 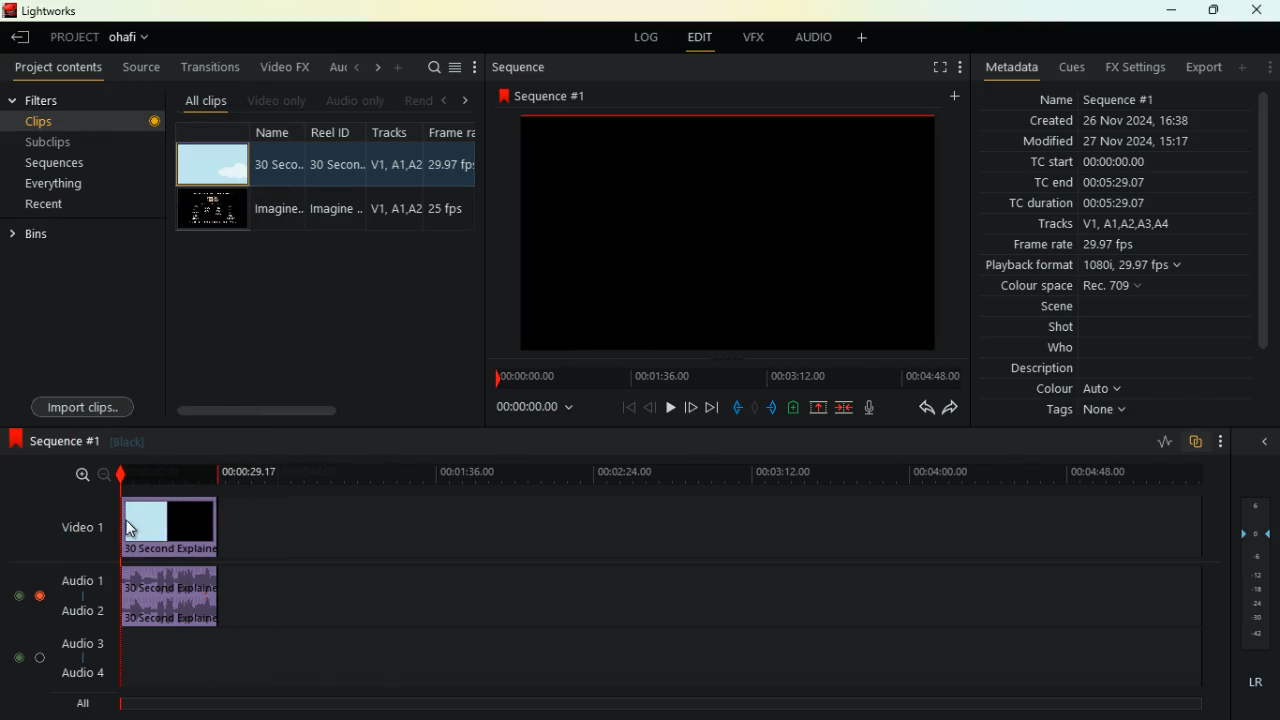 What do you see at coordinates (1203, 68) in the screenshot?
I see `export` at bounding box center [1203, 68].